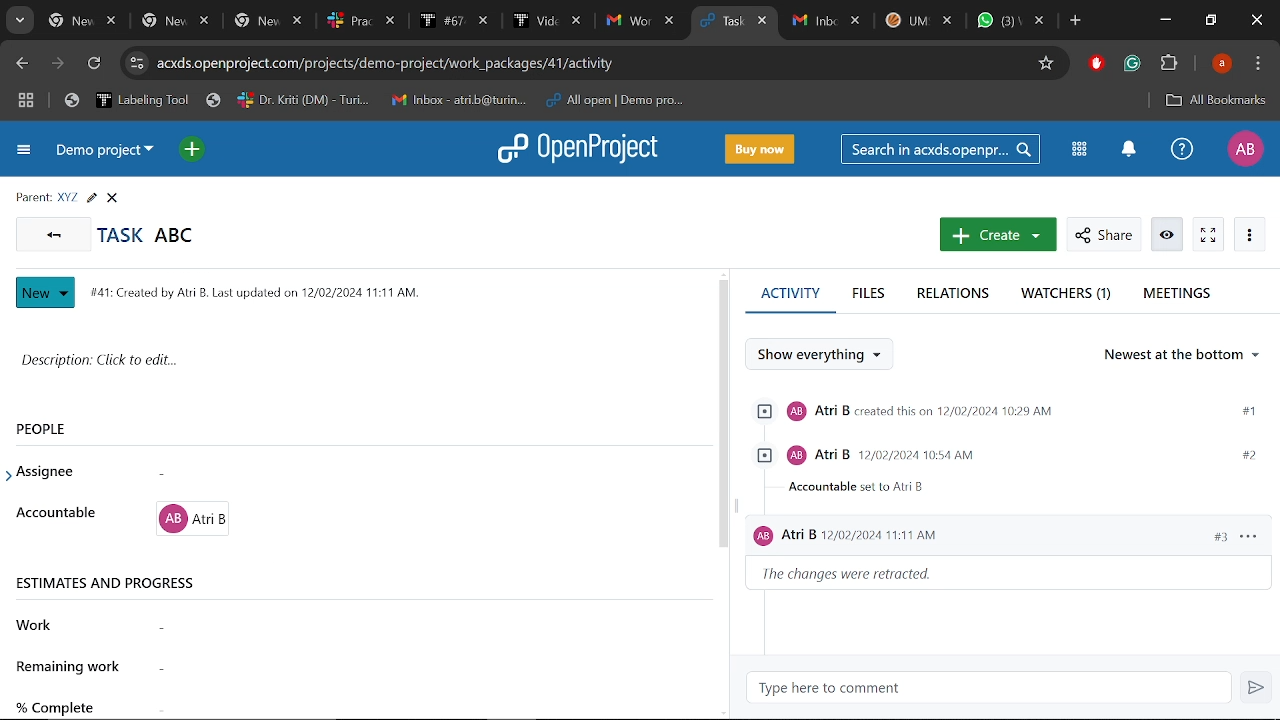  Describe the element at coordinates (388, 100) in the screenshot. I see `Bookmarked tabs` at that location.